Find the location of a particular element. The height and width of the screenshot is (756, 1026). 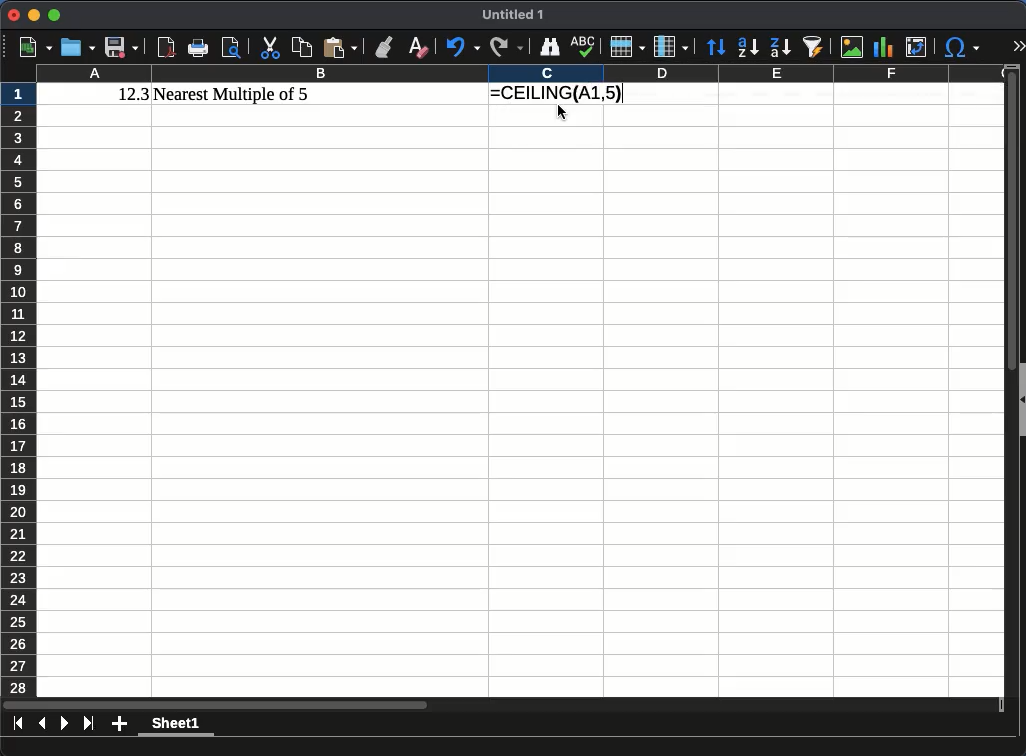

cut is located at coordinates (270, 47).